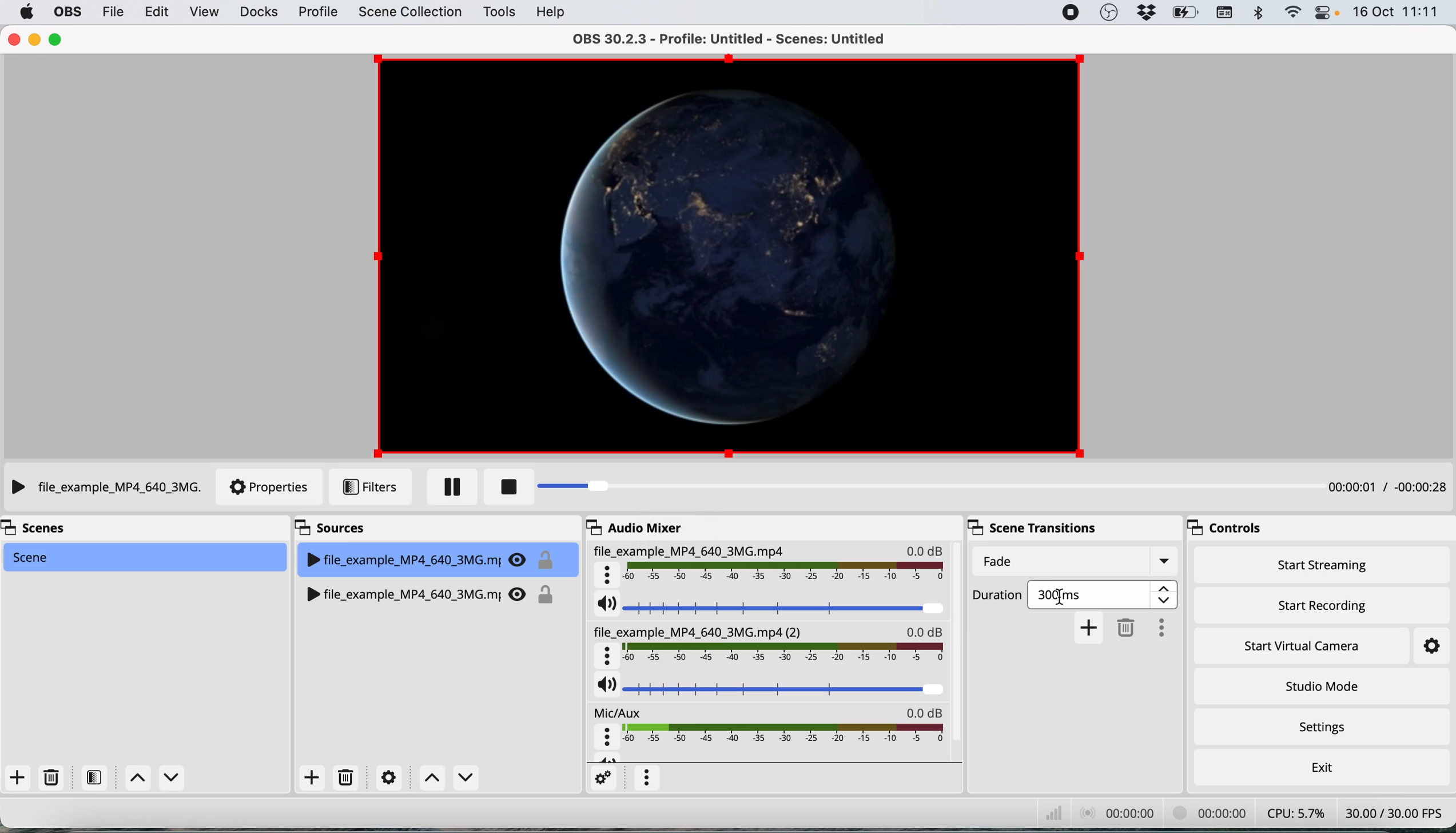 This screenshot has height=833, width=1456. What do you see at coordinates (1148, 13) in the screenshot?
I see `dropbox` at bounding box center [1148, 13].